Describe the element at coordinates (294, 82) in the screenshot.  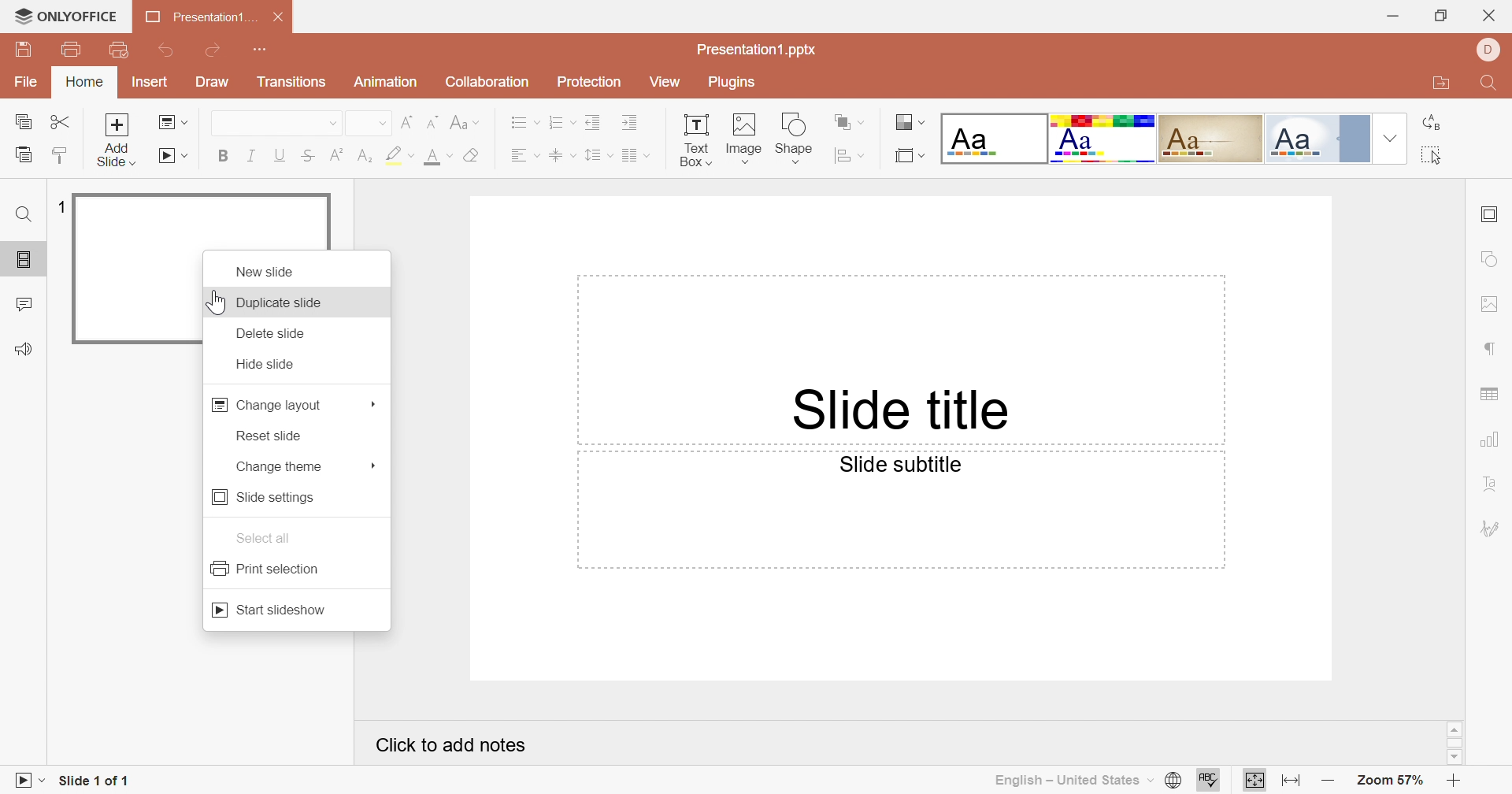
I see `Transitions` at that location.